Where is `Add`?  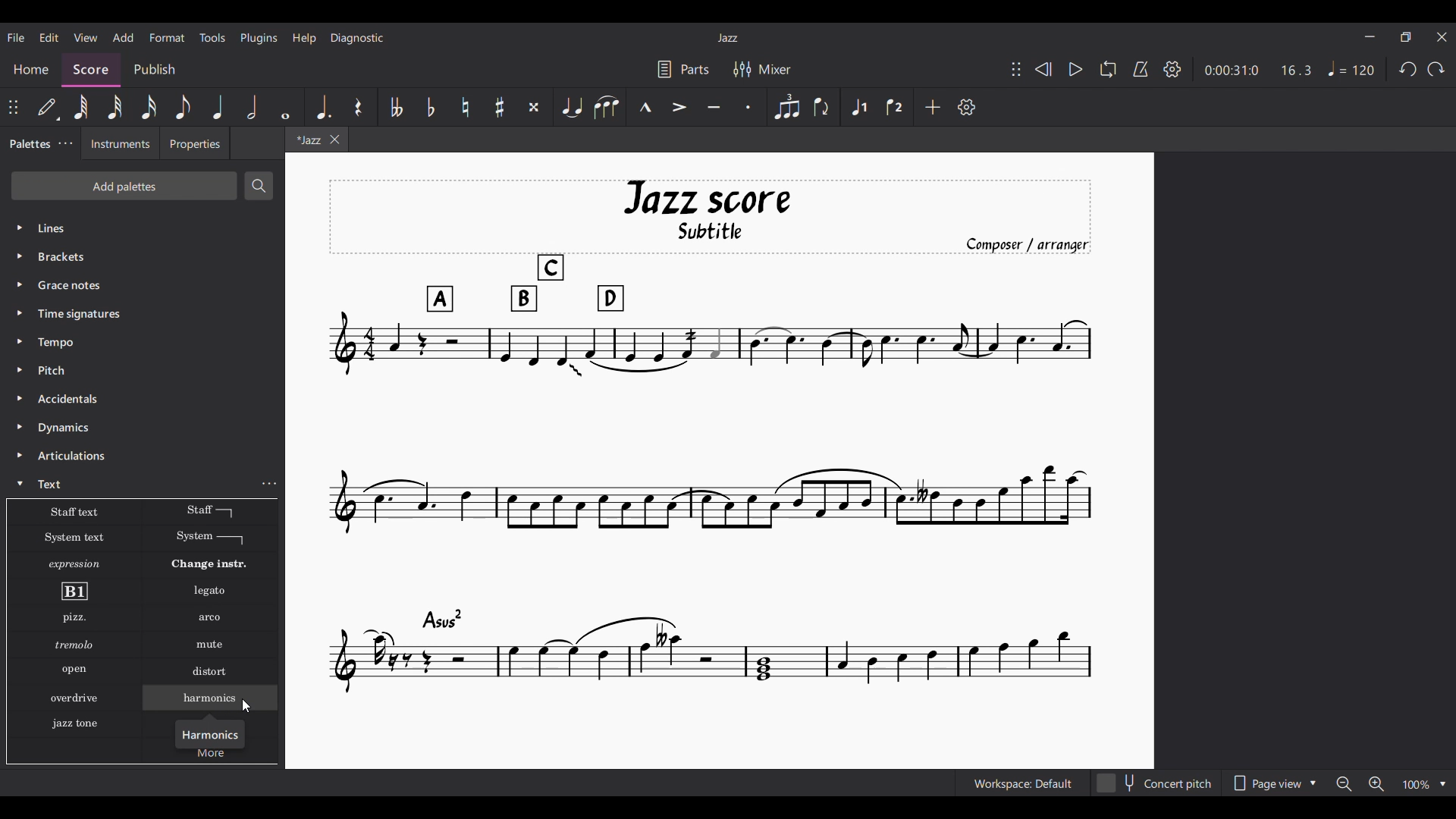 Add is located at coordinates (933, 107).